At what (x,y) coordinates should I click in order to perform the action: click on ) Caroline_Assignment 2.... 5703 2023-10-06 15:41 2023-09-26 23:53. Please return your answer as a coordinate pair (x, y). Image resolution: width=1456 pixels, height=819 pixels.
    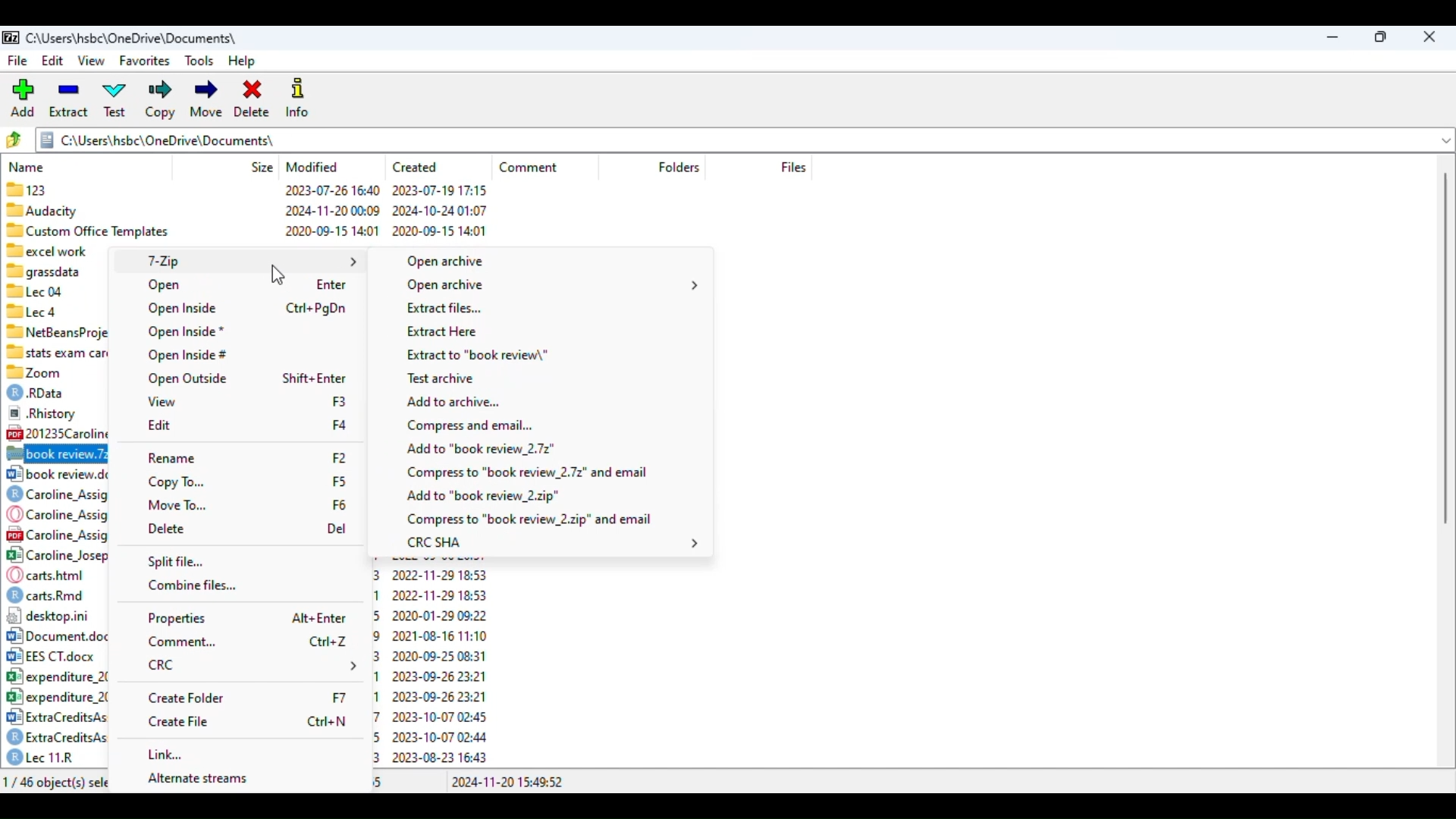
    Looking at the image, I should click on (55, 495).